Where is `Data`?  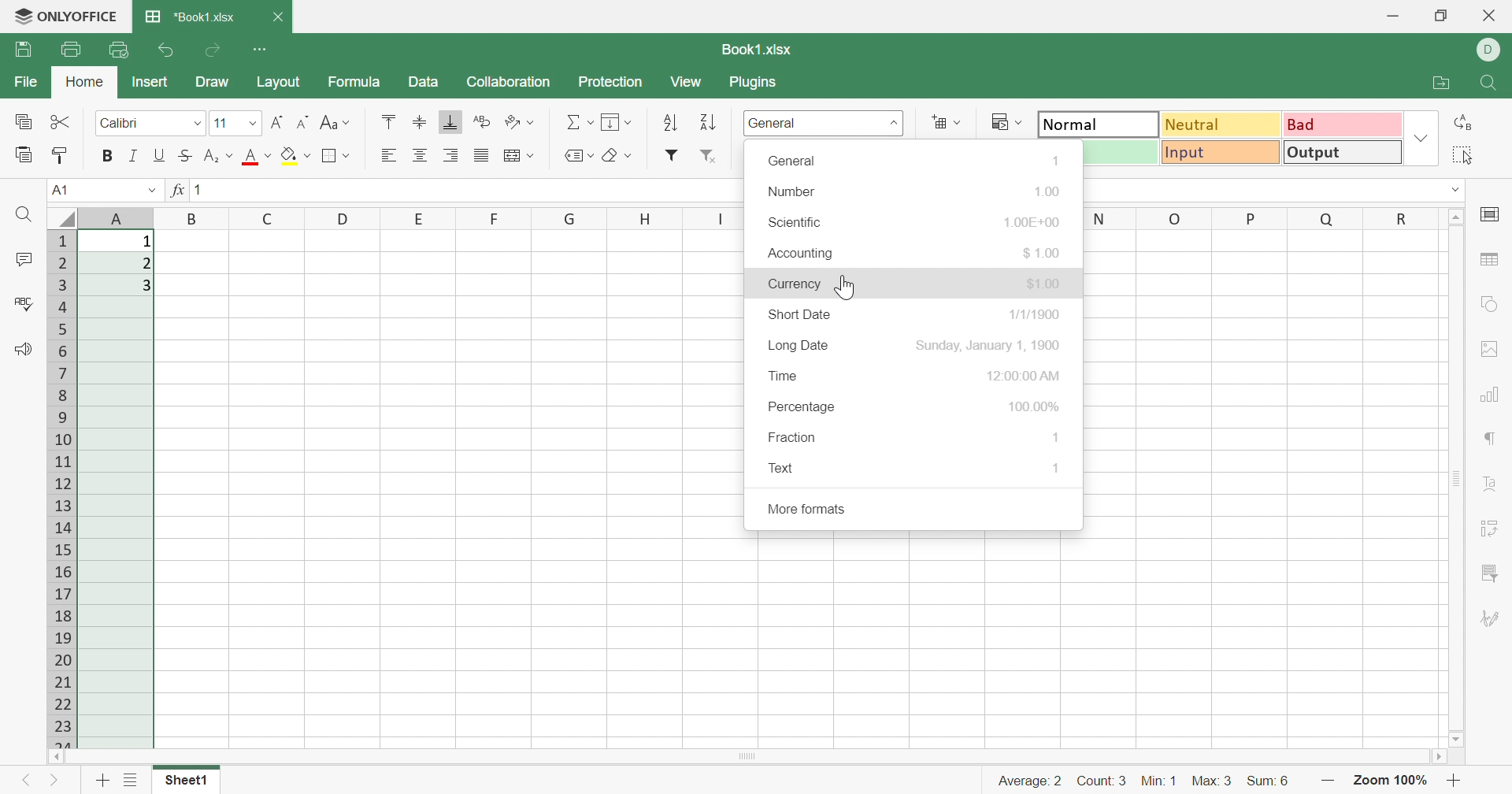 Data is located at coordinates (423, 83).